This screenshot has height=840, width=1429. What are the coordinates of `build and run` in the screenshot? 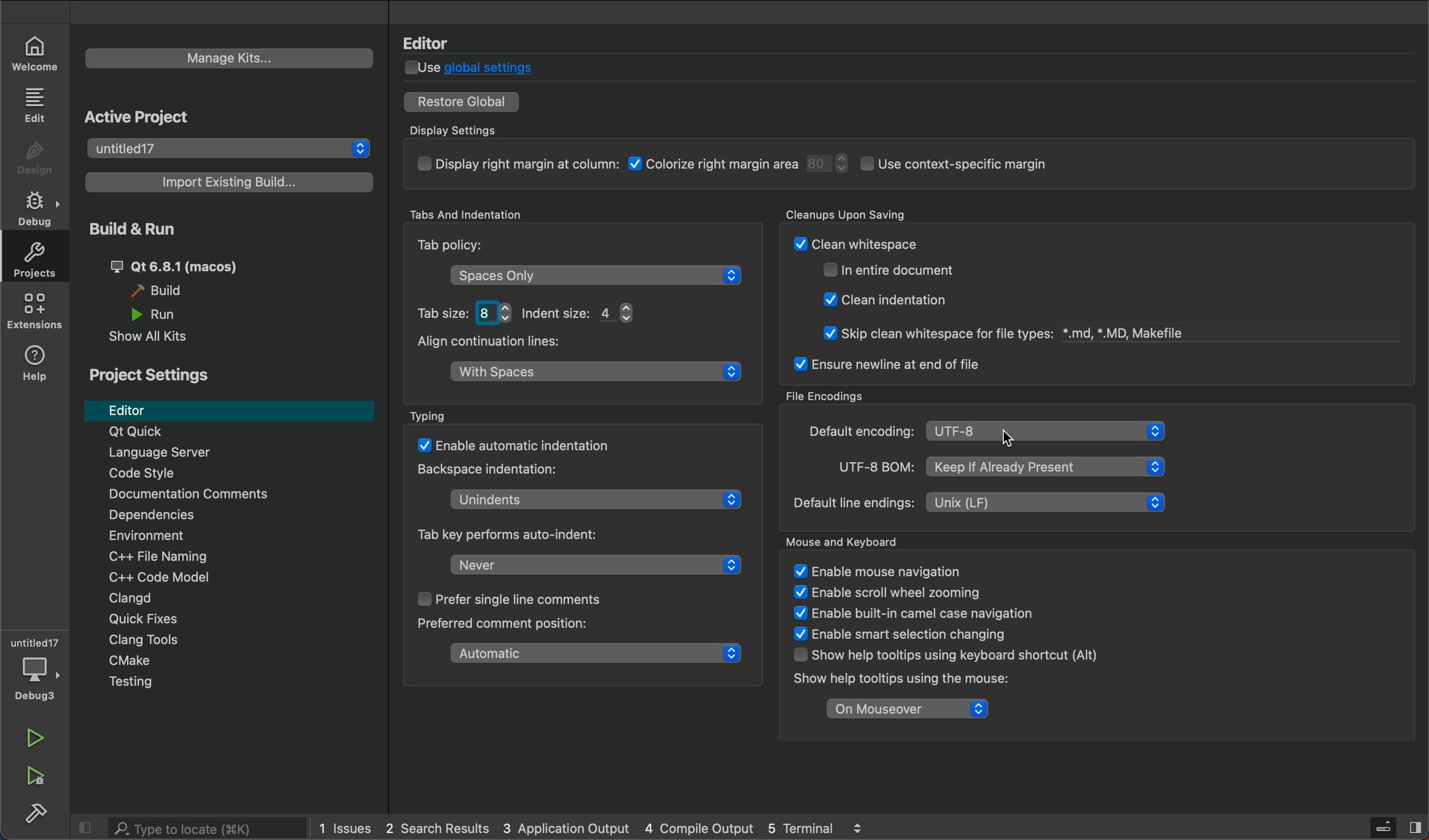 It's located at (230, 266).